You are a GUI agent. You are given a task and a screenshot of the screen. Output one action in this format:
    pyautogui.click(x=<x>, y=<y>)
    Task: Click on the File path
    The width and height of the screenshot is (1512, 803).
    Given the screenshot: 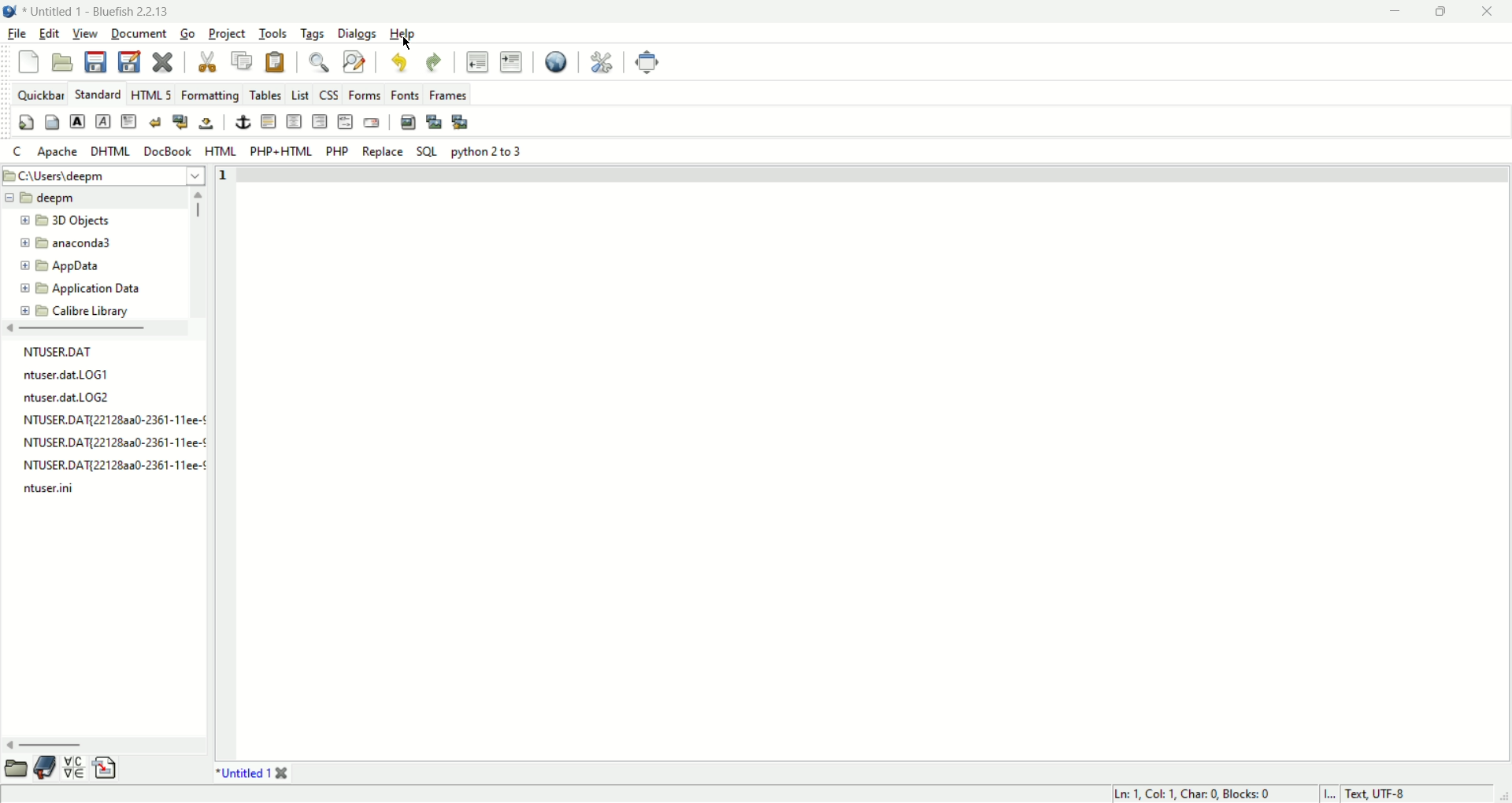 What is the action you would take?
    pyautogui.click(x=103, y=176)
    